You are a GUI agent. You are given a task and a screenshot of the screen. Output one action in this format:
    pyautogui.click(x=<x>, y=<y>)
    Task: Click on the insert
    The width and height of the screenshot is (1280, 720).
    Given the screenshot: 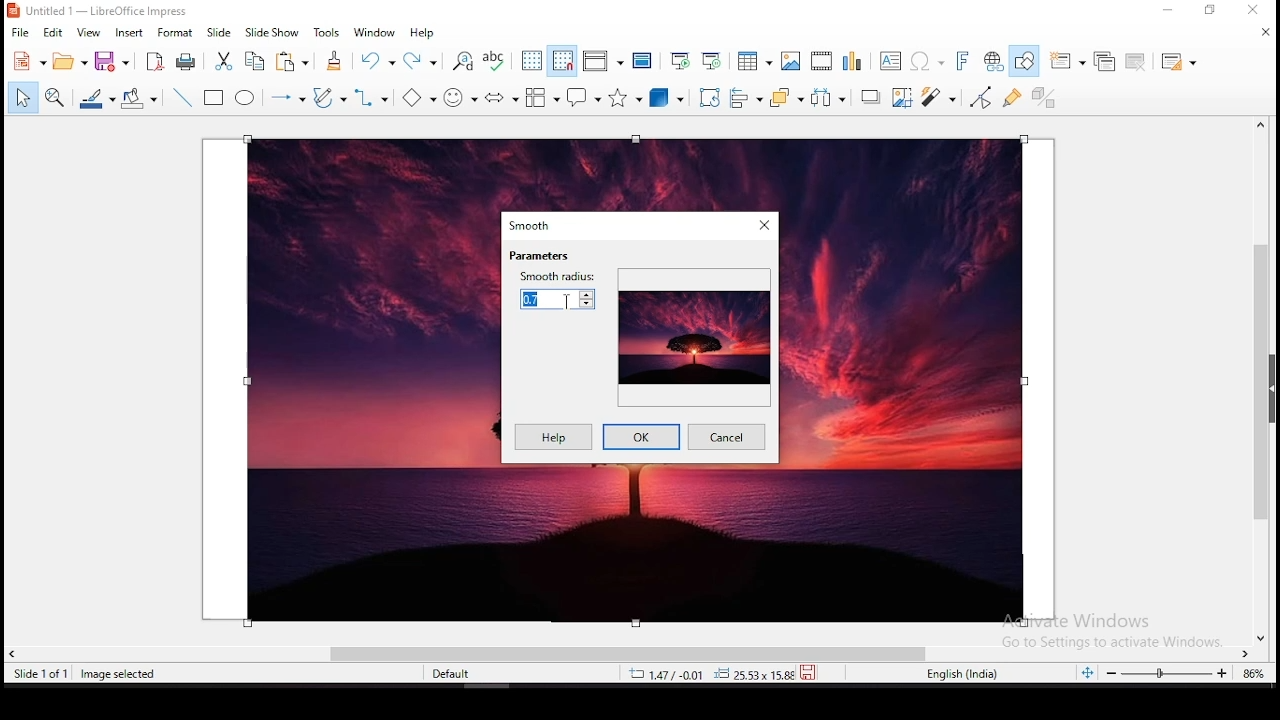 What is the action you would take?
    pyautogui.click(x=129, y=33)
    